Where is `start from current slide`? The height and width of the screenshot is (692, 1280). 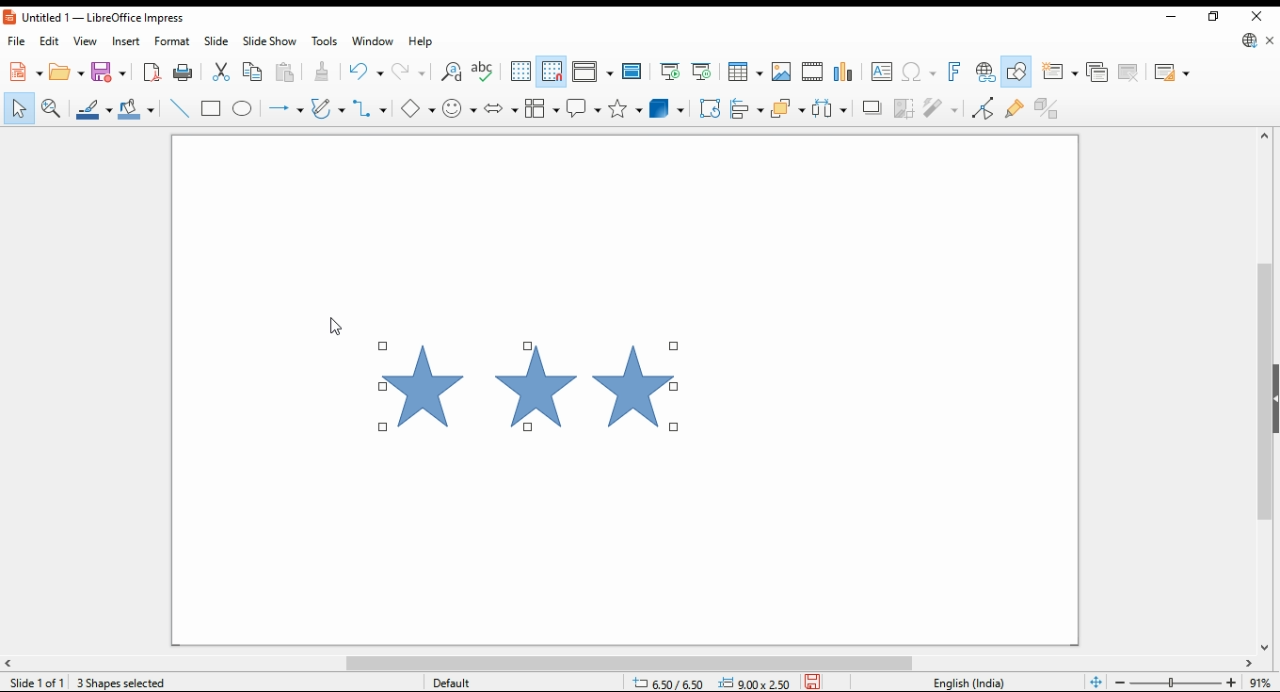
start from current slide is located at coordinates (701, 72).